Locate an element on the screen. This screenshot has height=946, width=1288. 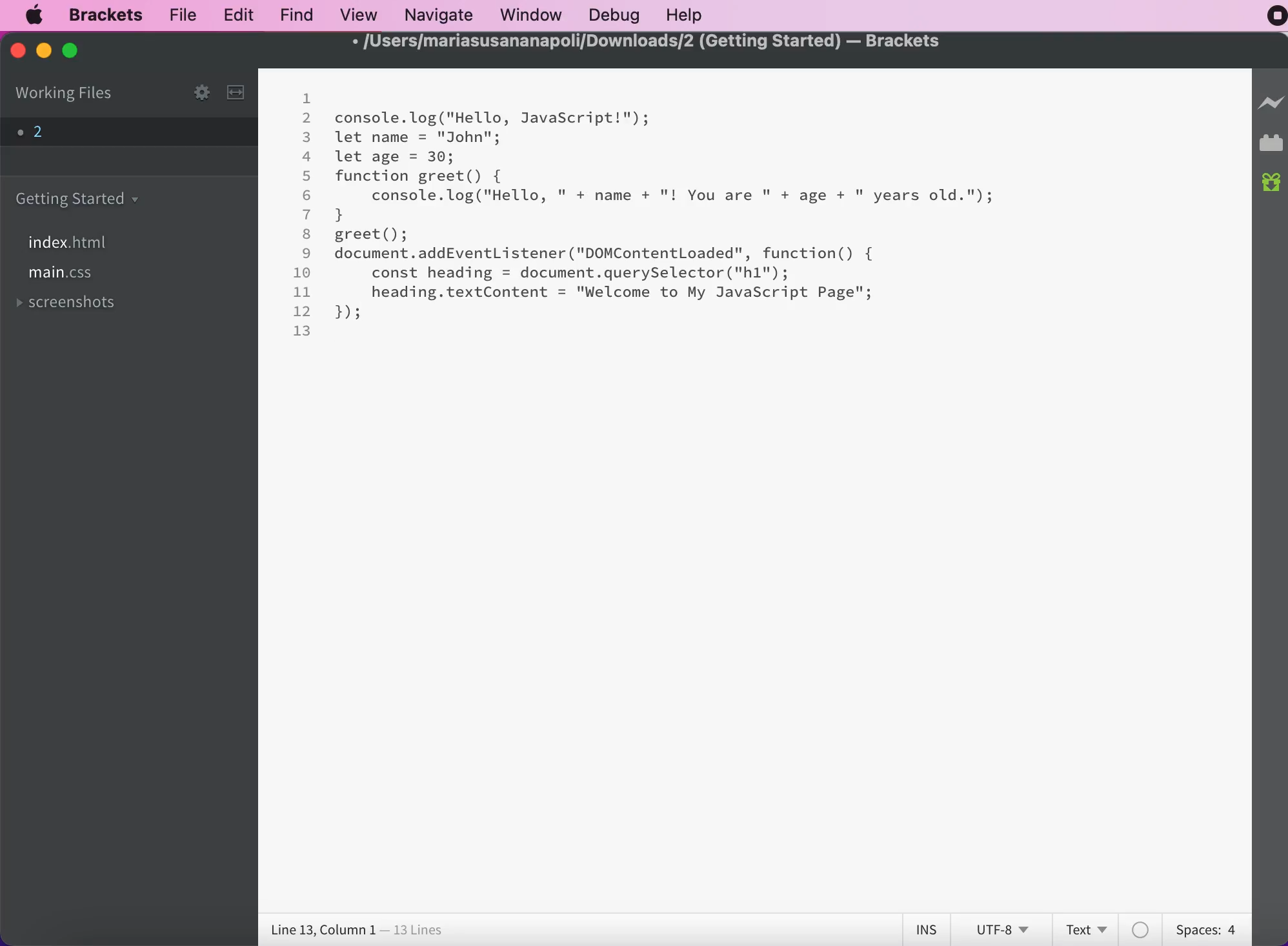
4 is located at coordinates (307, 157).